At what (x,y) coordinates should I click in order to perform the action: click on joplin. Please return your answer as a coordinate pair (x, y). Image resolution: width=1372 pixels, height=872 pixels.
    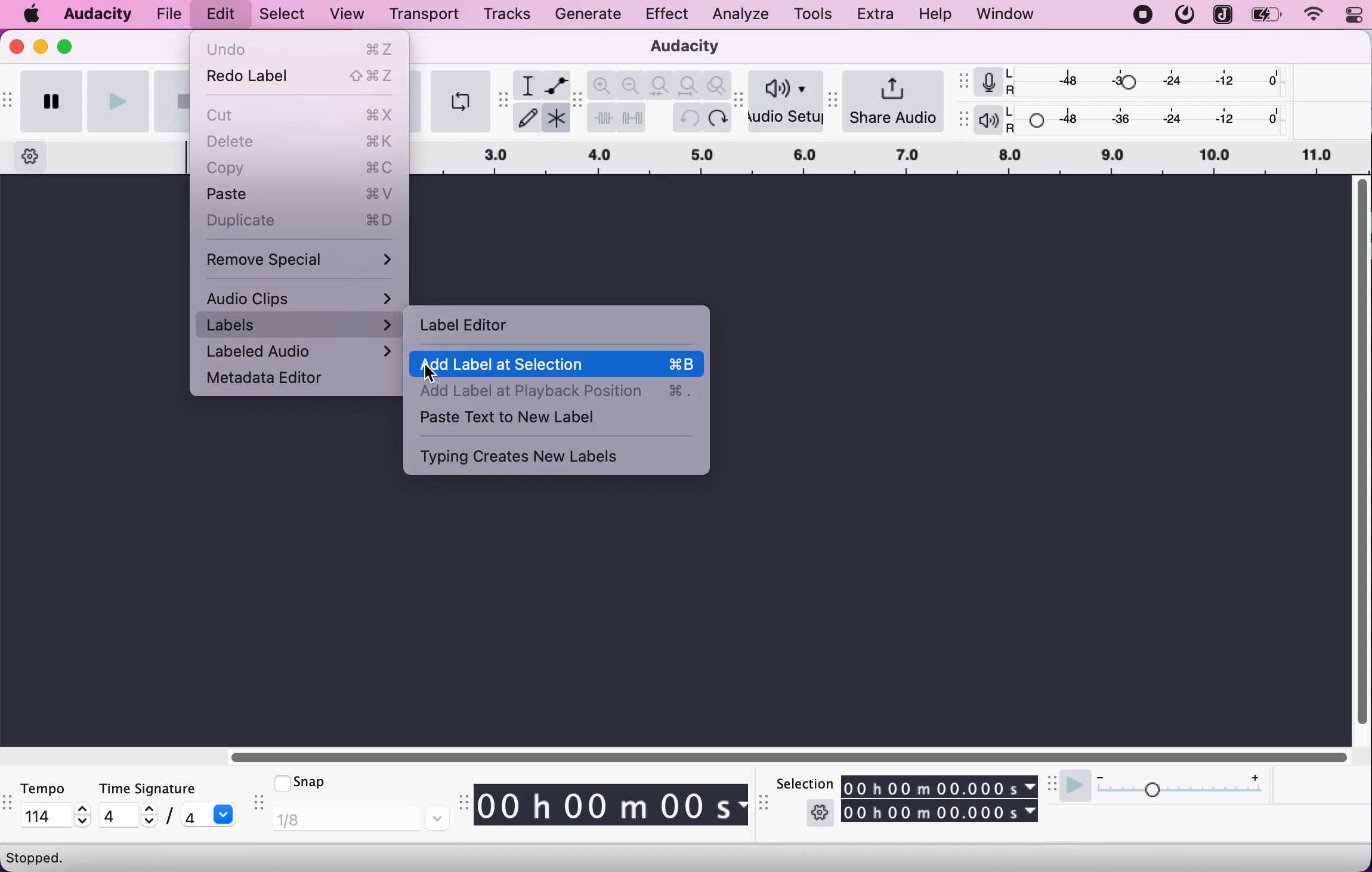
    Looking at the image, I should click on (1222, 14).